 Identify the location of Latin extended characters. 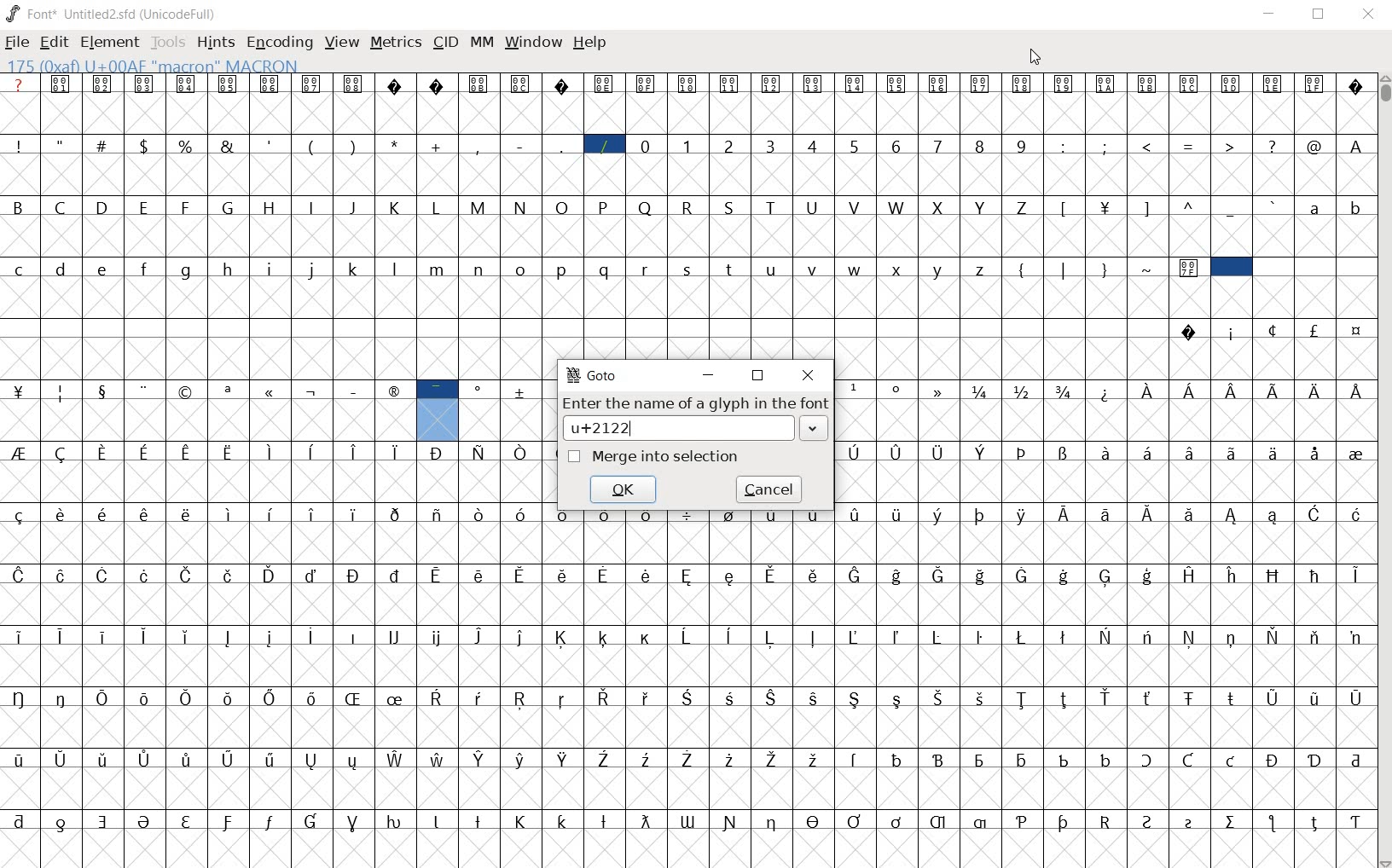
(1227, 472).